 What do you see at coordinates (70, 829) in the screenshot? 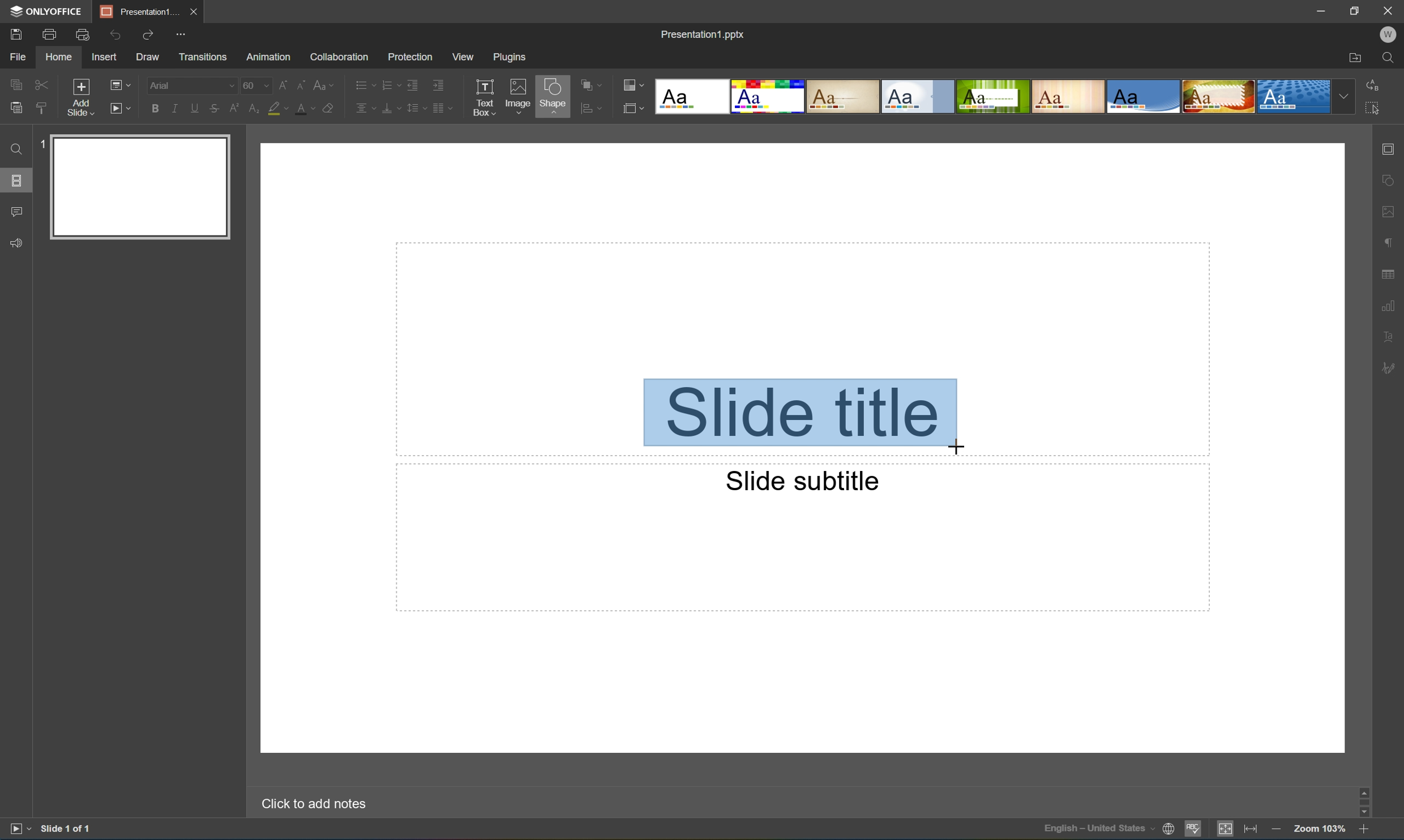
I see `Slide 1 of 1` at bounding box center [70, 829].